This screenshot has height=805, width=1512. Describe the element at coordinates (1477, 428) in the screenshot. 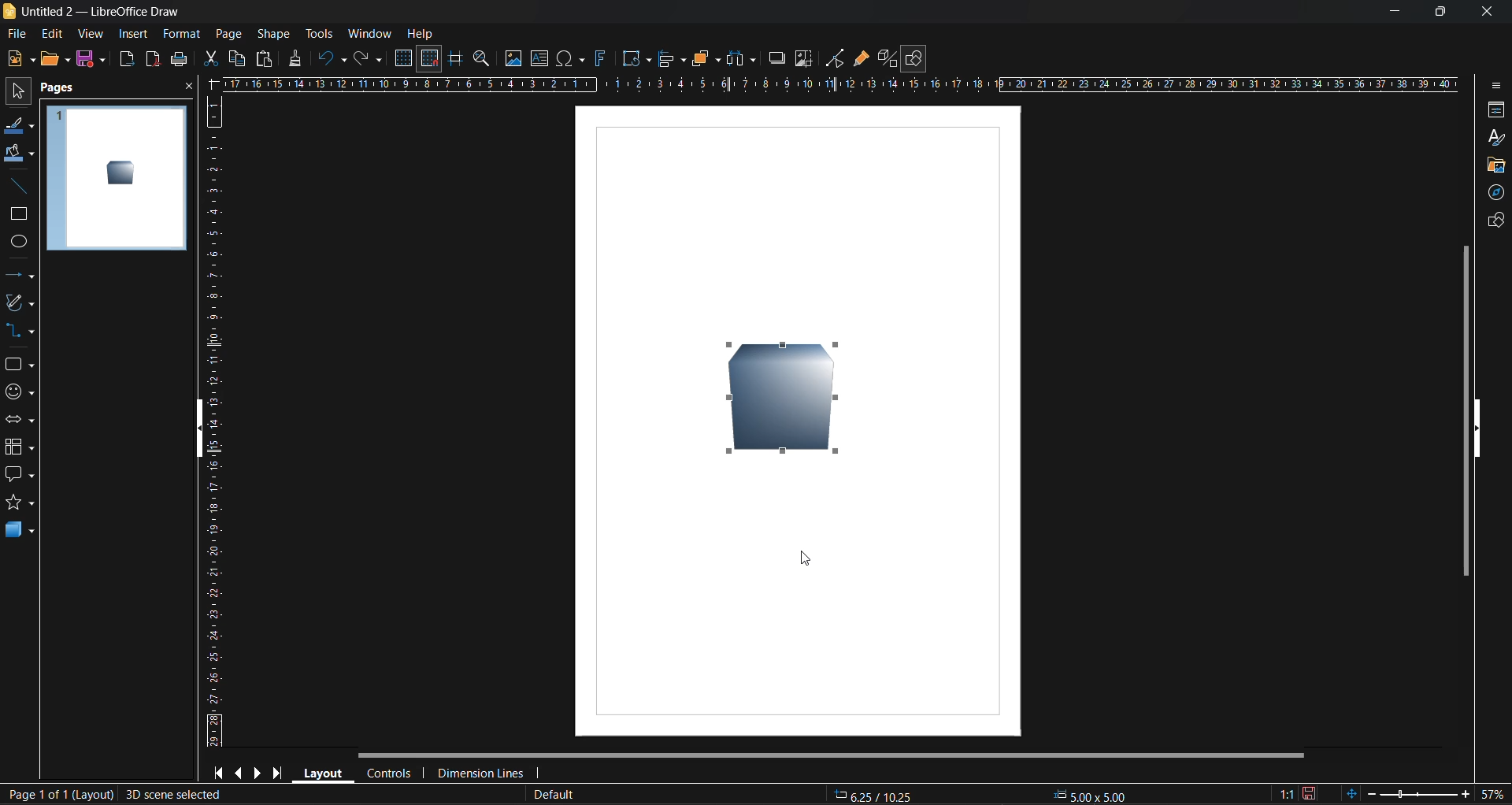

I see `hide` at that location.